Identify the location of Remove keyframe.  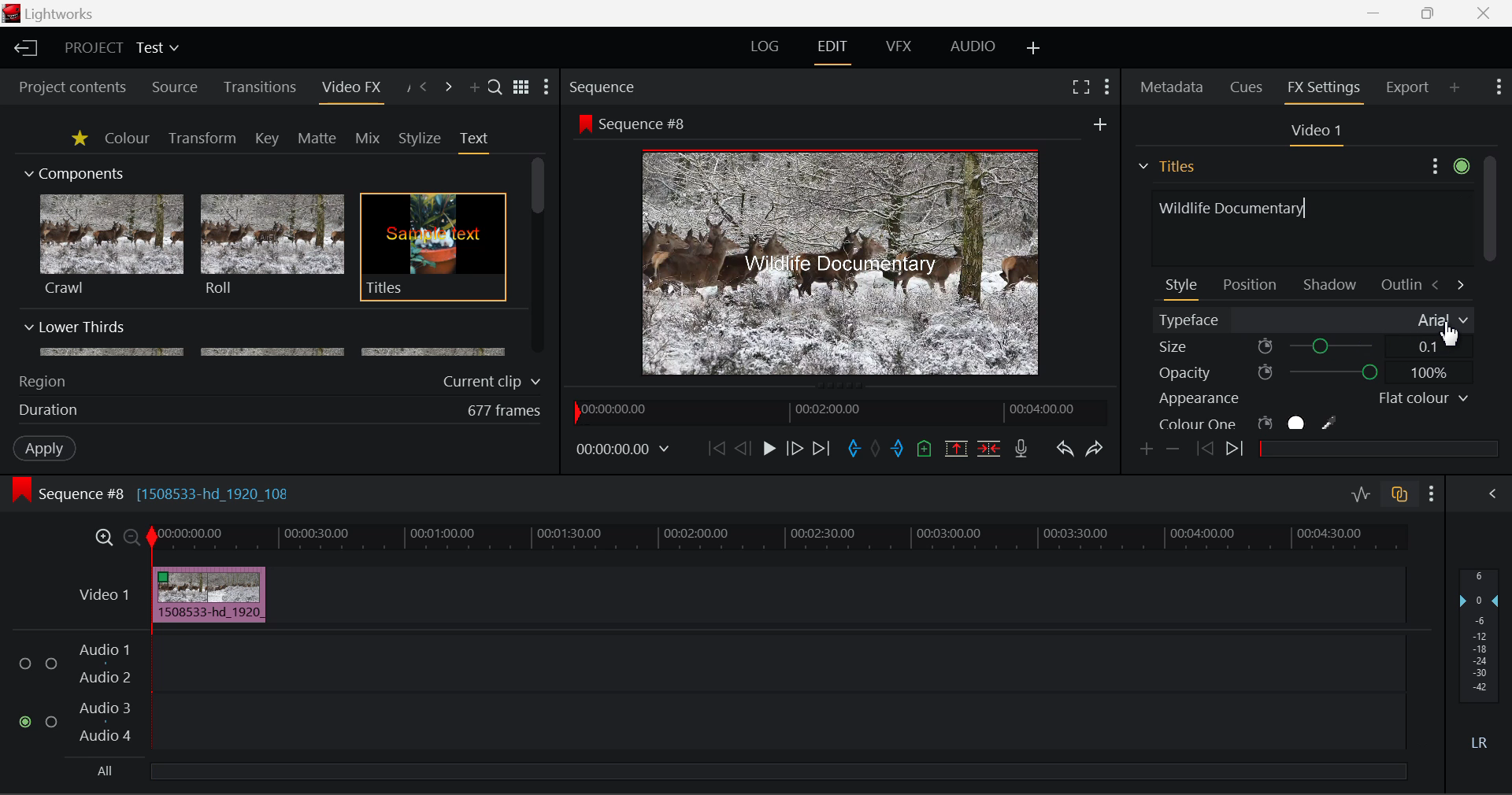
(1173, 451).